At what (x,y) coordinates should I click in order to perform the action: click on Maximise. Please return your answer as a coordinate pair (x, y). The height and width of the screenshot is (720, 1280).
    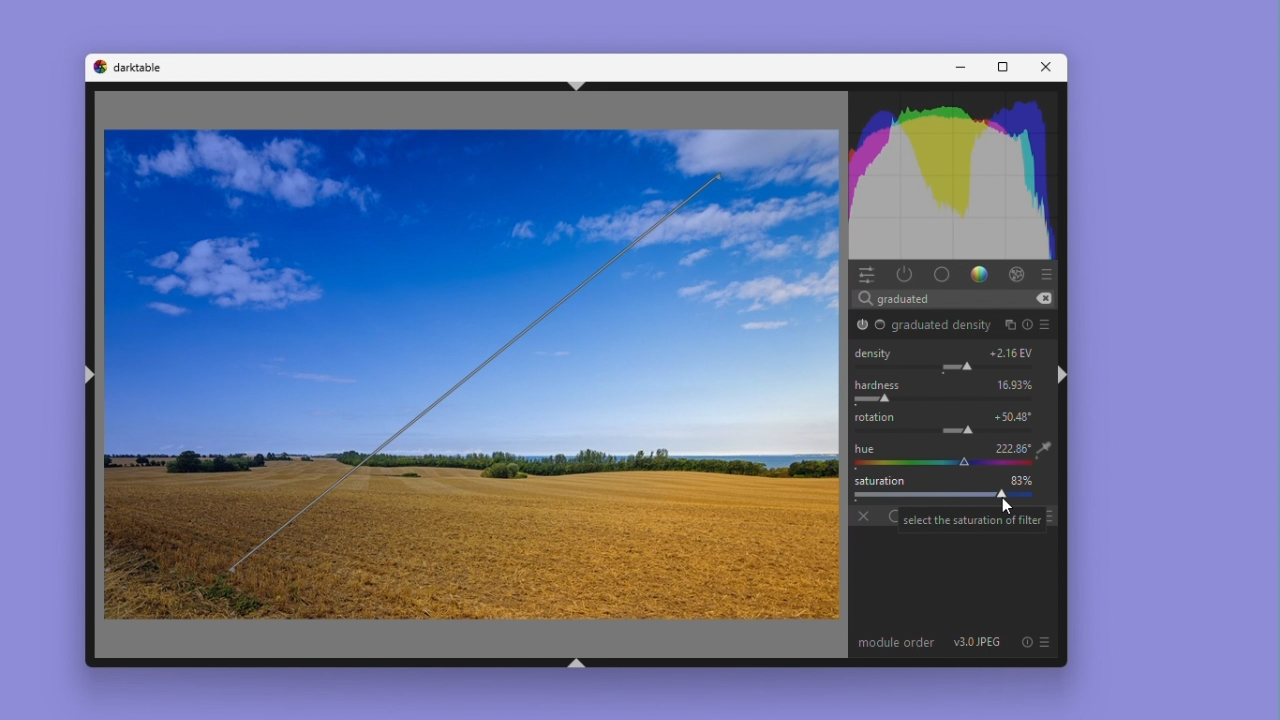
    Looking at the image, I should click on (999, 68).